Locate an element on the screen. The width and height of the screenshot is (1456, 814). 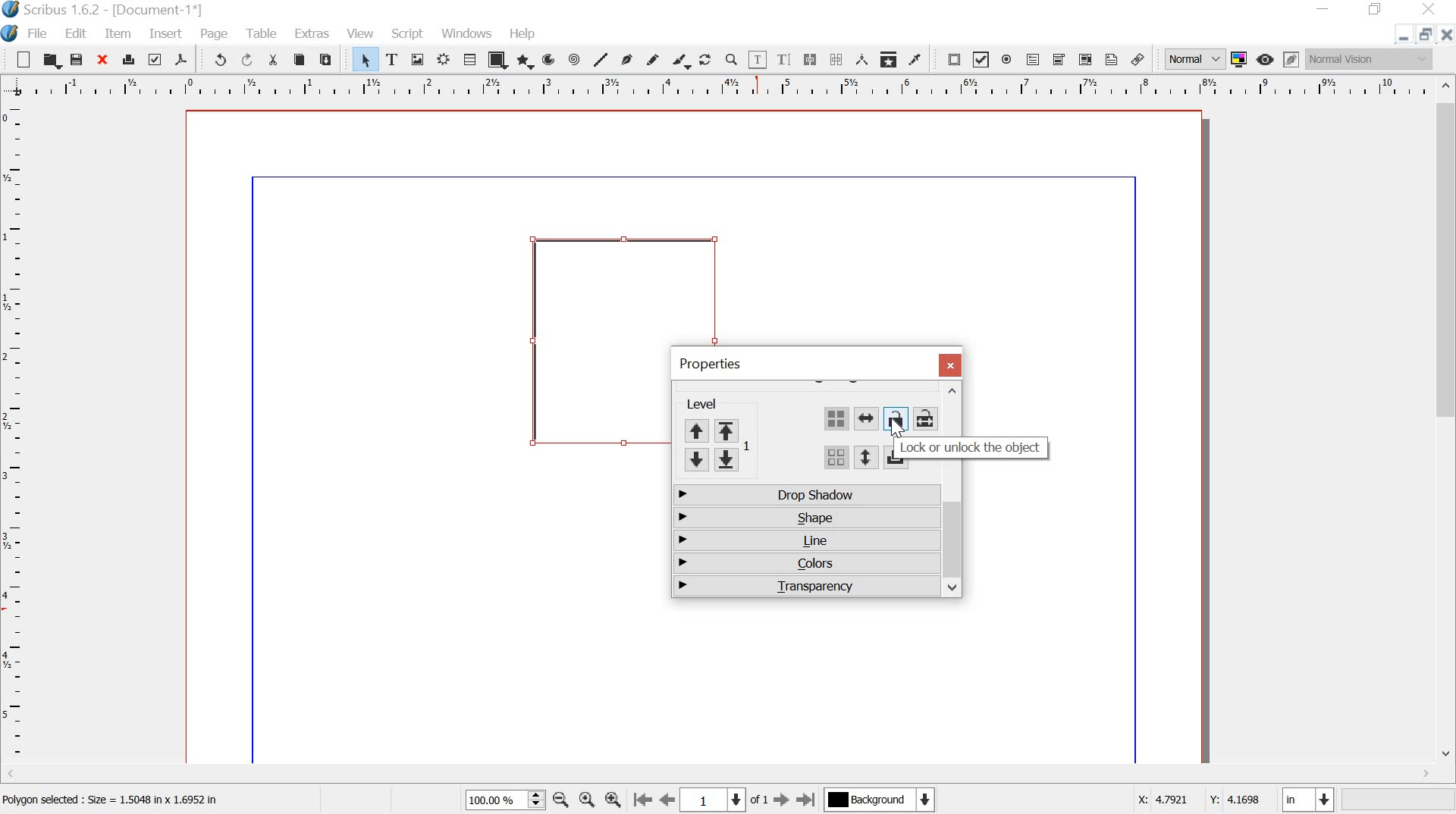
normal is located at coordinates (1193, 59).